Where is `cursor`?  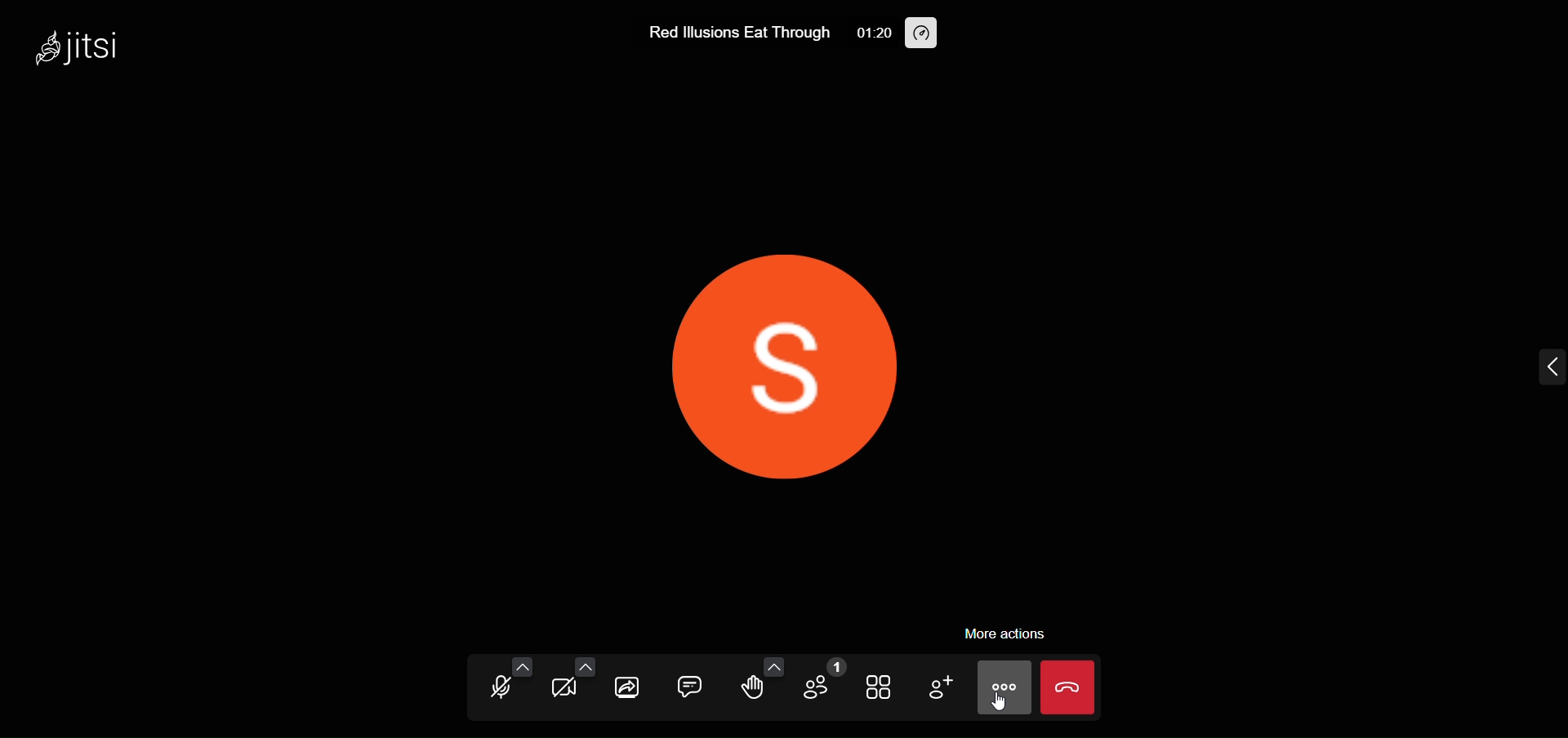
cursor is located at coordinates (997, 706).